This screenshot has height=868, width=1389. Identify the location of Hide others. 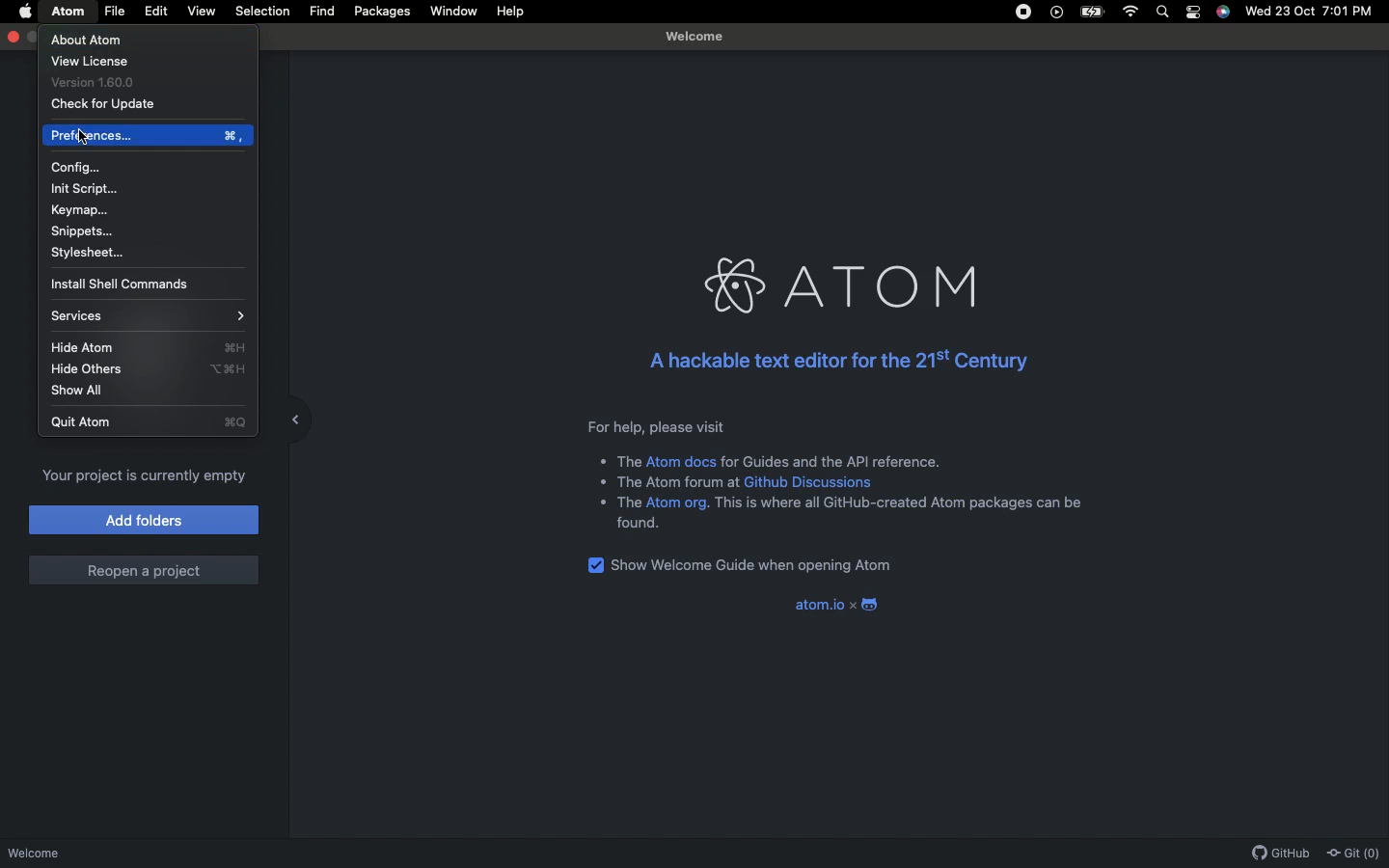
(150, 368).